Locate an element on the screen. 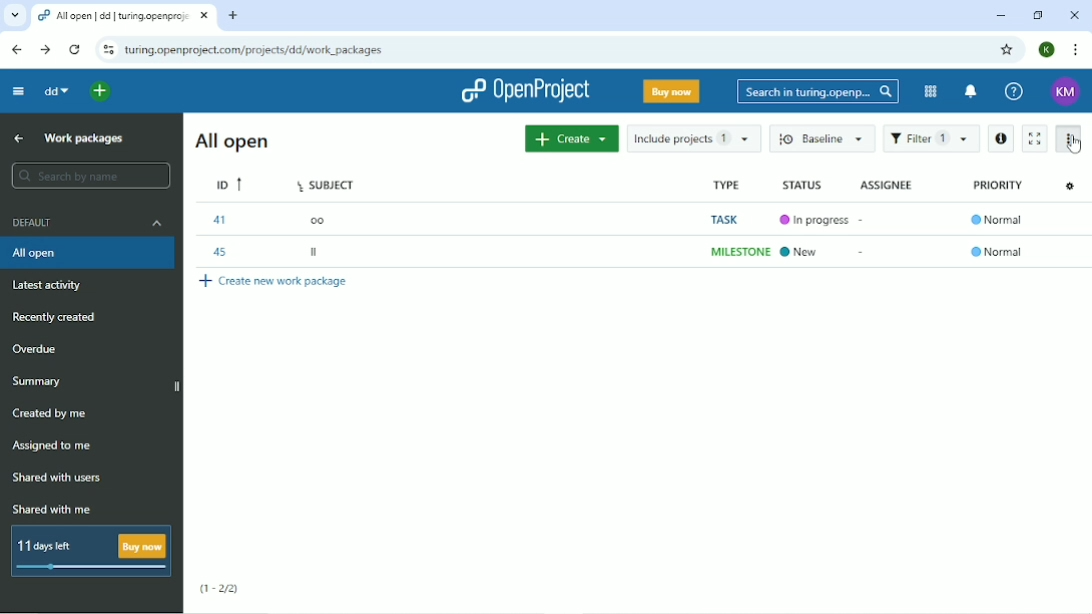 This screenshot has height=614, width=1092. Recently created is located at coordinates (57, 318).